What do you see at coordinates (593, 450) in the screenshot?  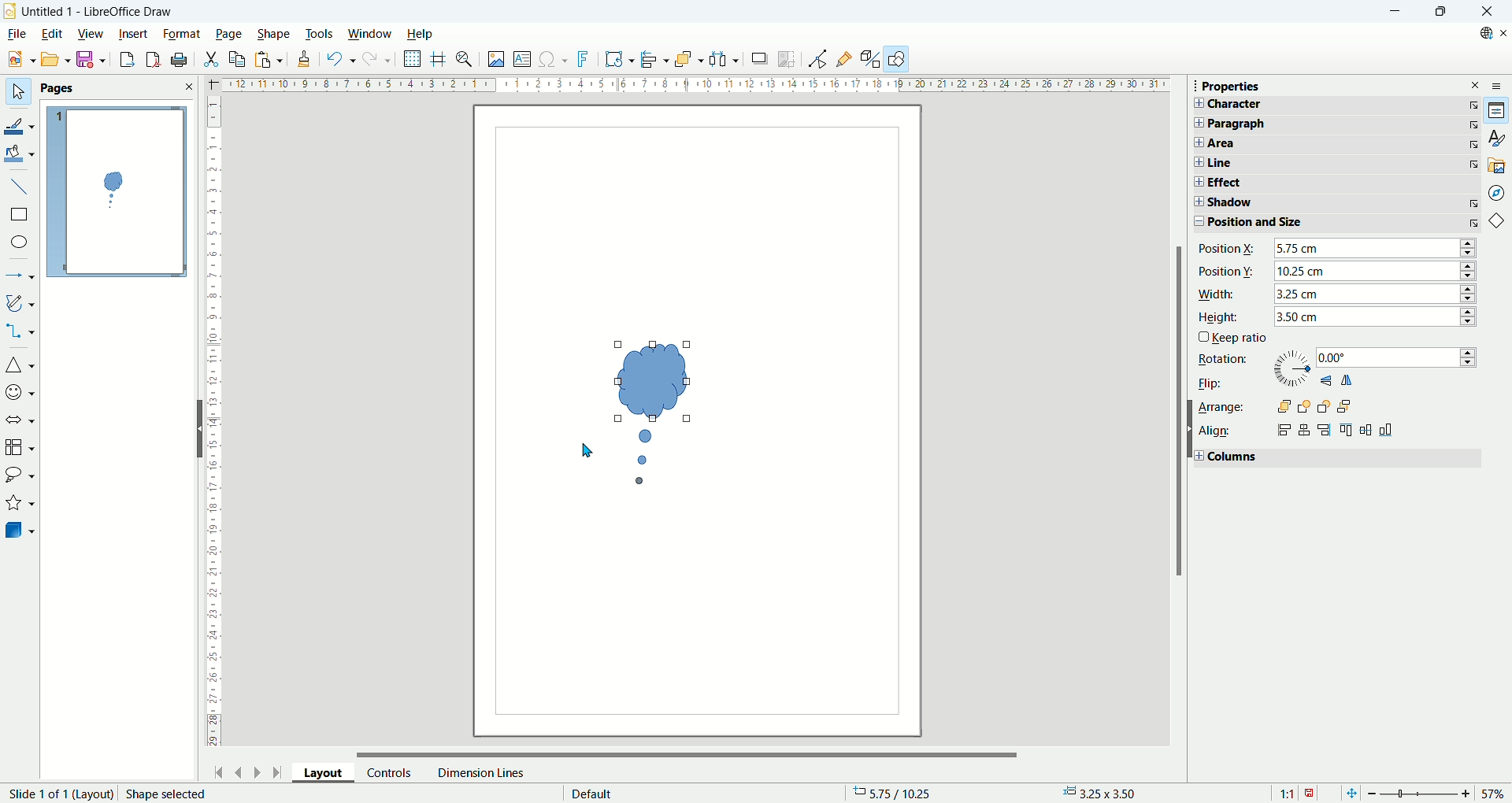 I see `Cursor` at bounding box center [593, 450].